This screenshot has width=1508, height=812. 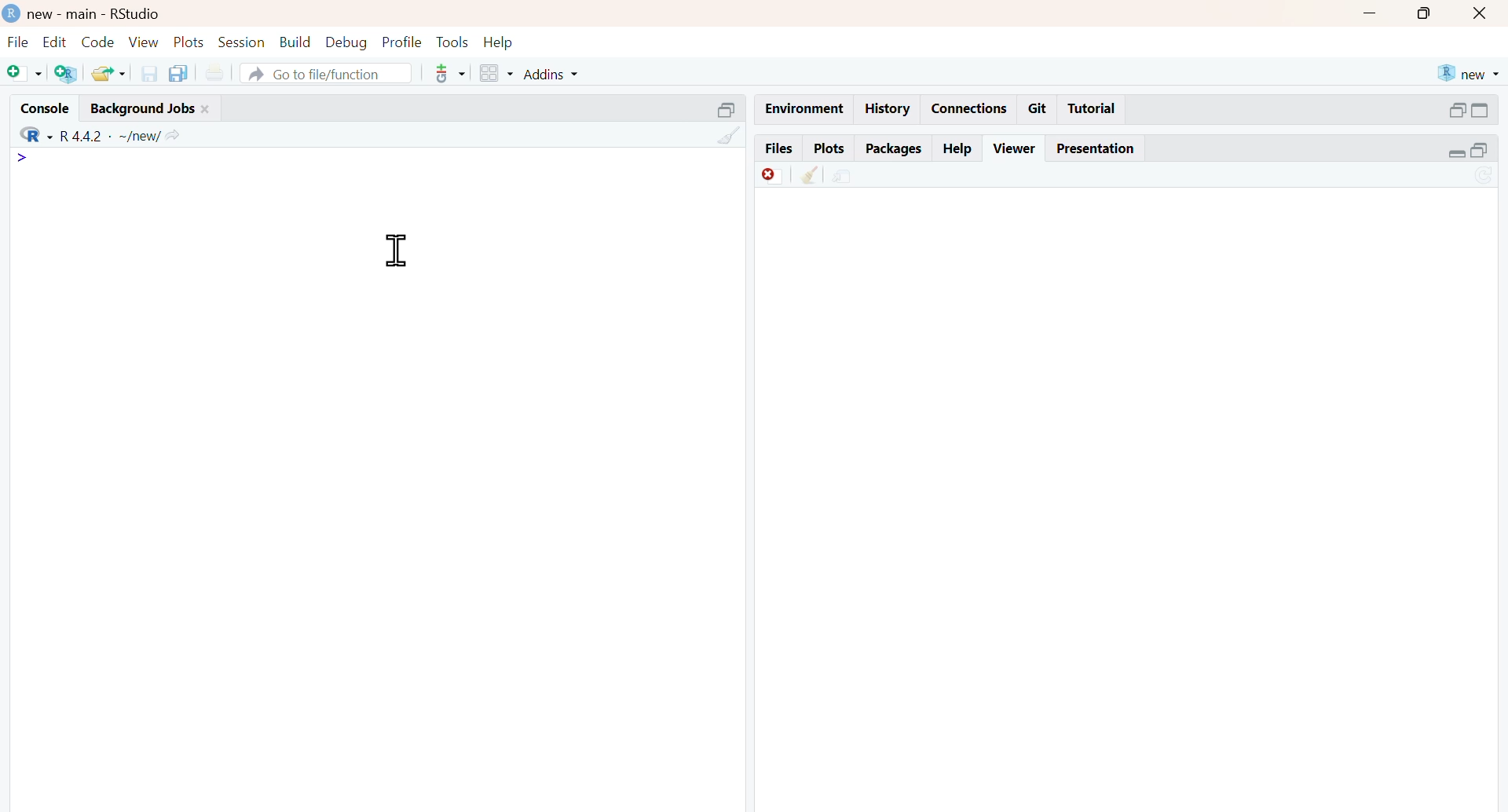 I want to click on tools, so click(x=451, y=73).